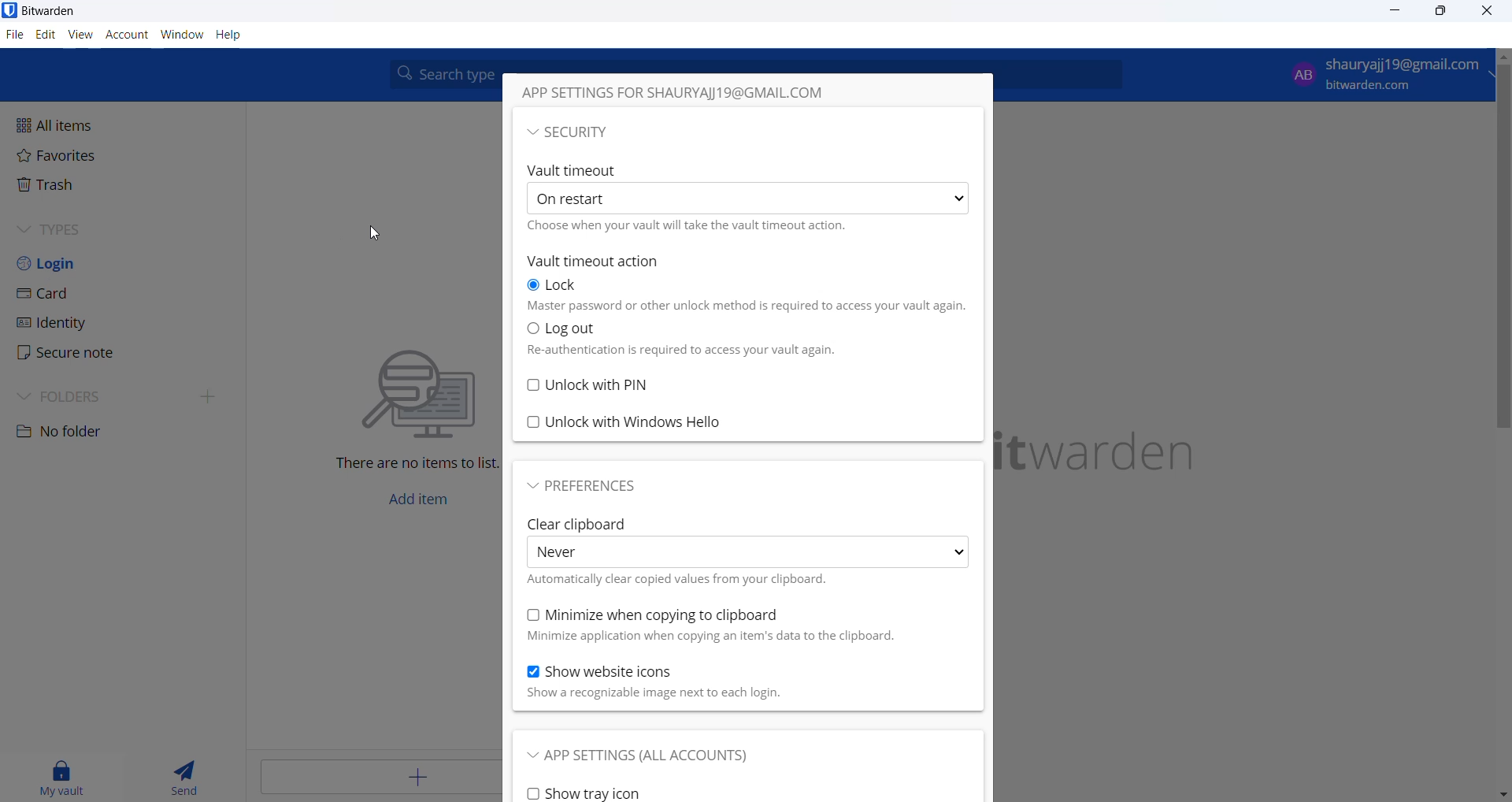 This screenshot has width=1512, height=802. I want to click on clear clipboard, so click(588, 524).